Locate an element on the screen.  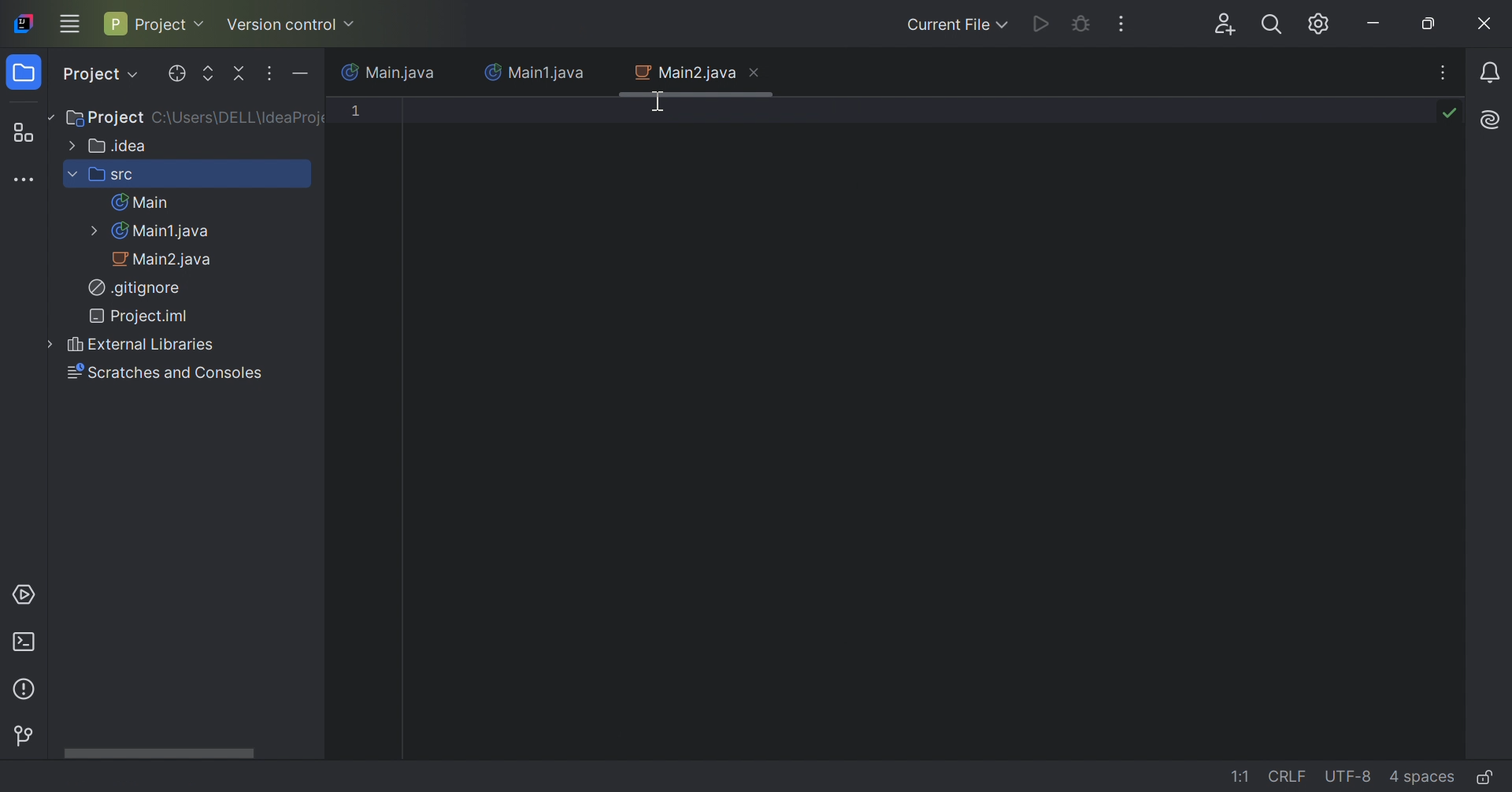
Main1.java is located at coordinates (536, 72).